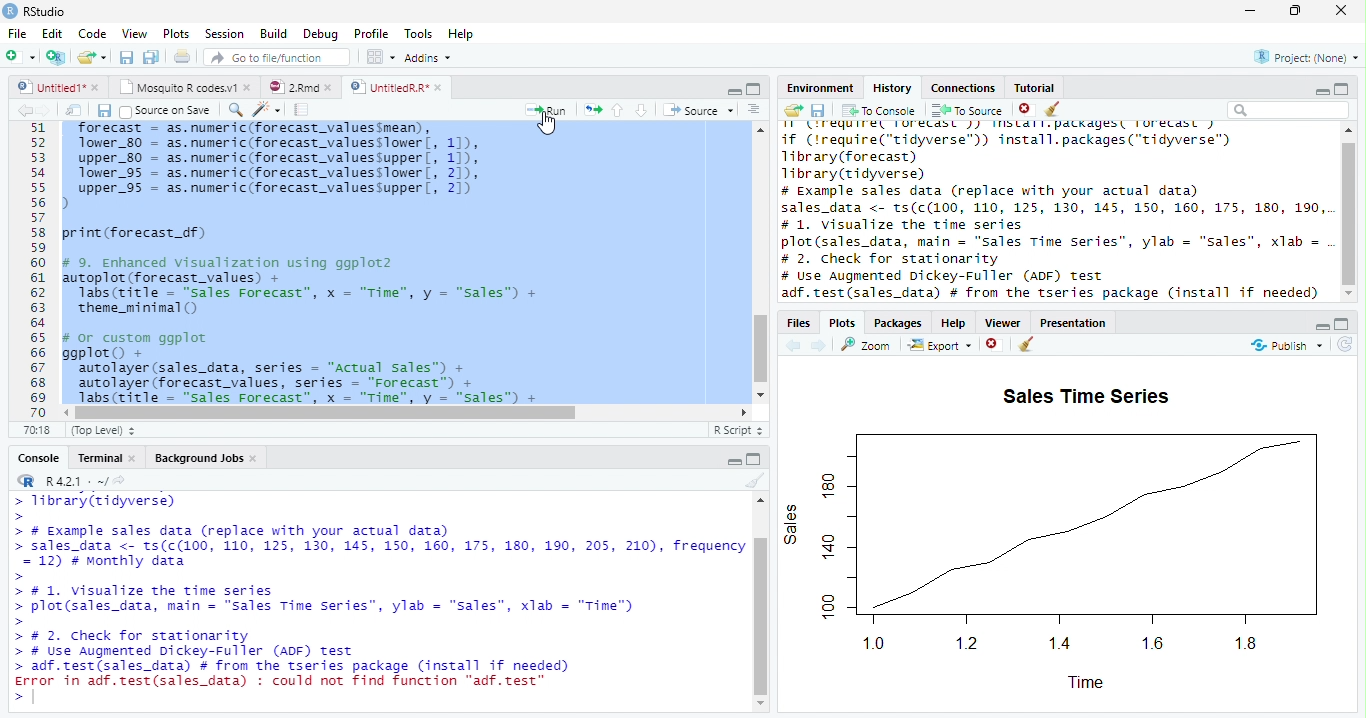  Describe the element at coordinates (53, 33) in the screenshot. I see `Edit` at that location.